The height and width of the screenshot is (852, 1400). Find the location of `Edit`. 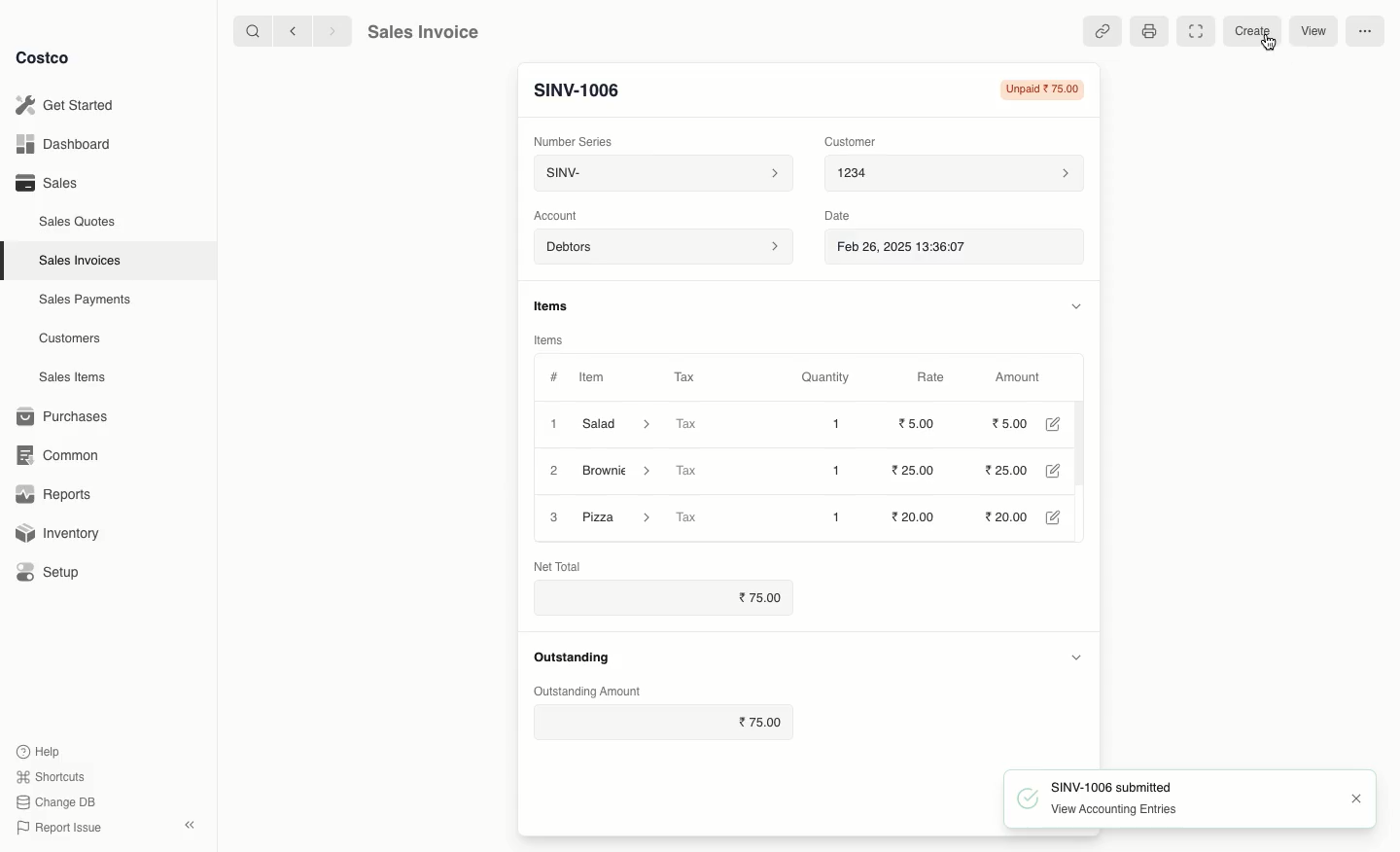

Edit is located at coordinates (1057, 518).